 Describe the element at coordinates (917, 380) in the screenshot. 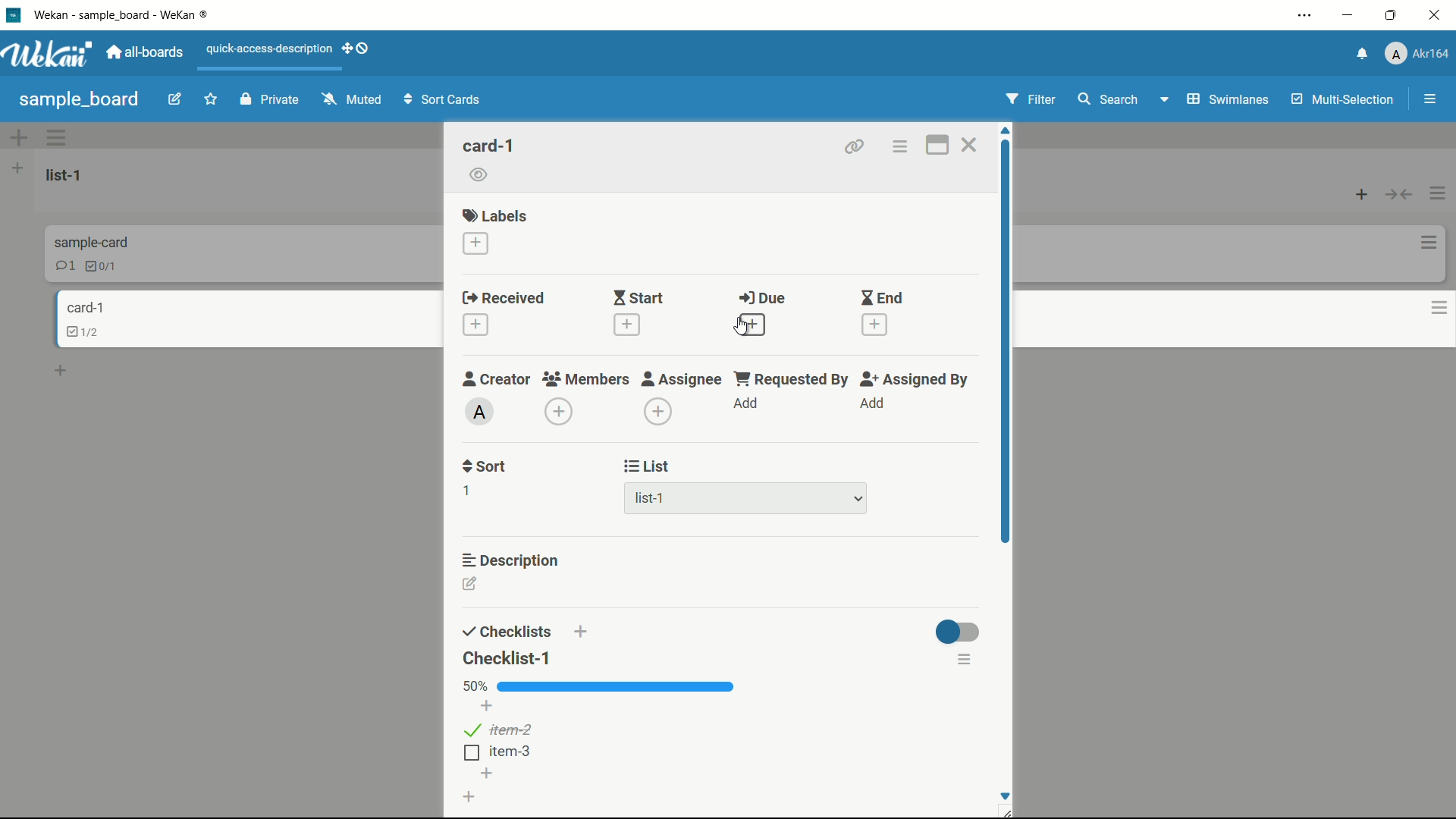

I see `assigned by` at that location.